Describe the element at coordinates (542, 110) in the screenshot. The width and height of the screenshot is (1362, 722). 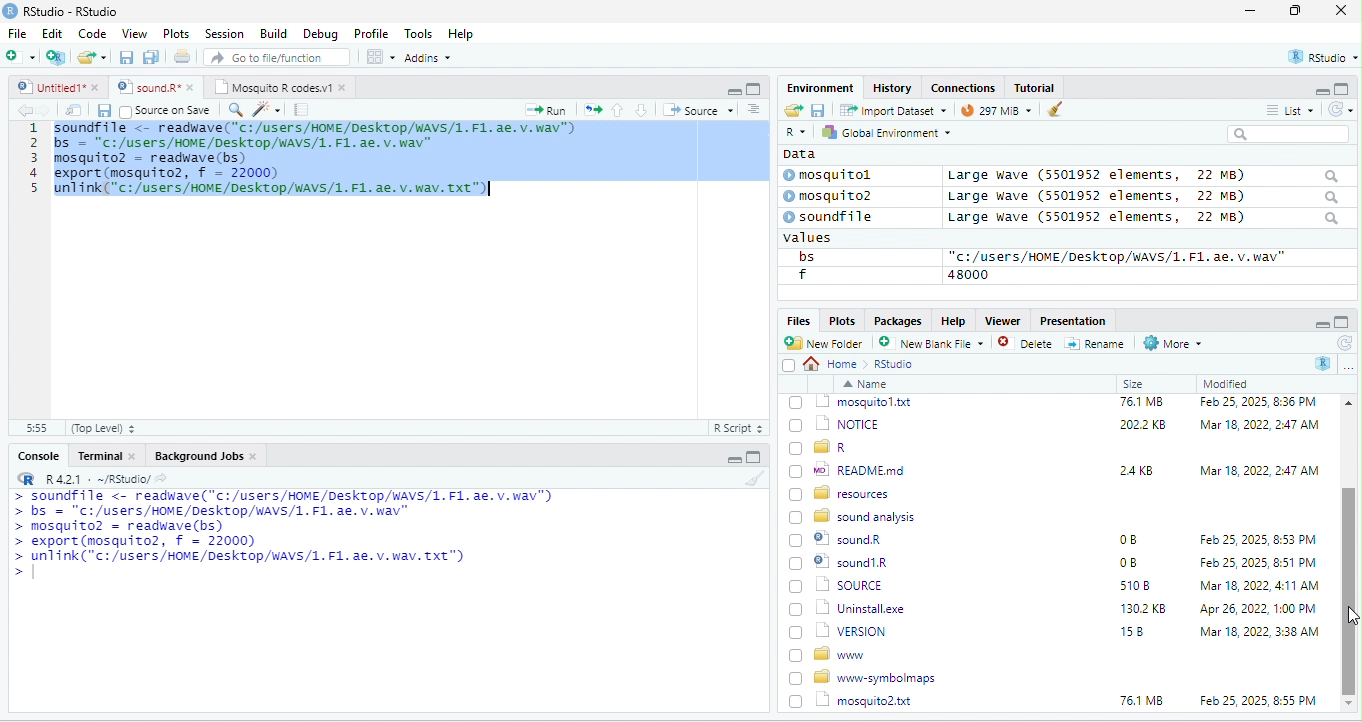
I see `Run` at that location.